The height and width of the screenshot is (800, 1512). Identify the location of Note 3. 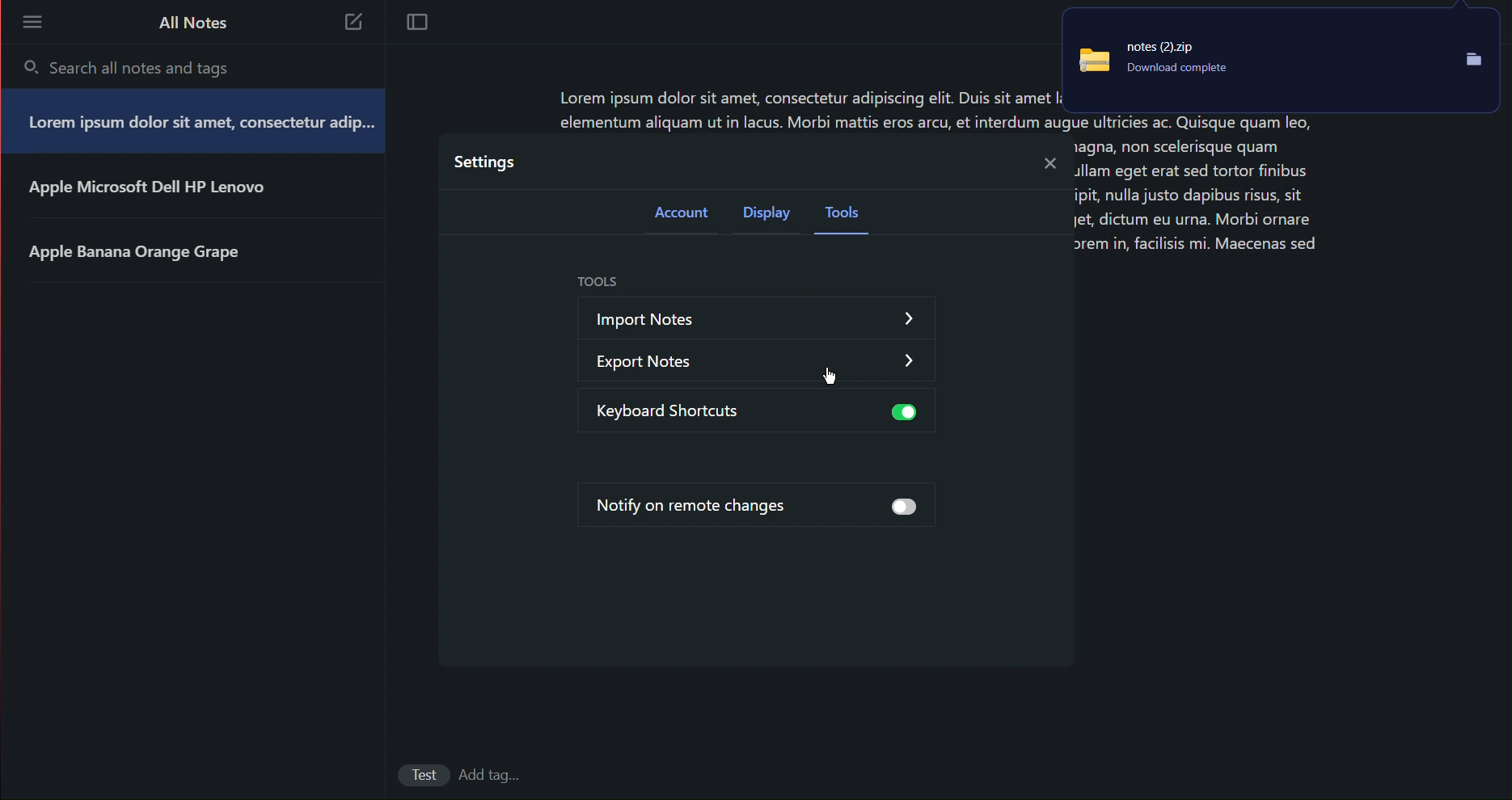
(190, 251).